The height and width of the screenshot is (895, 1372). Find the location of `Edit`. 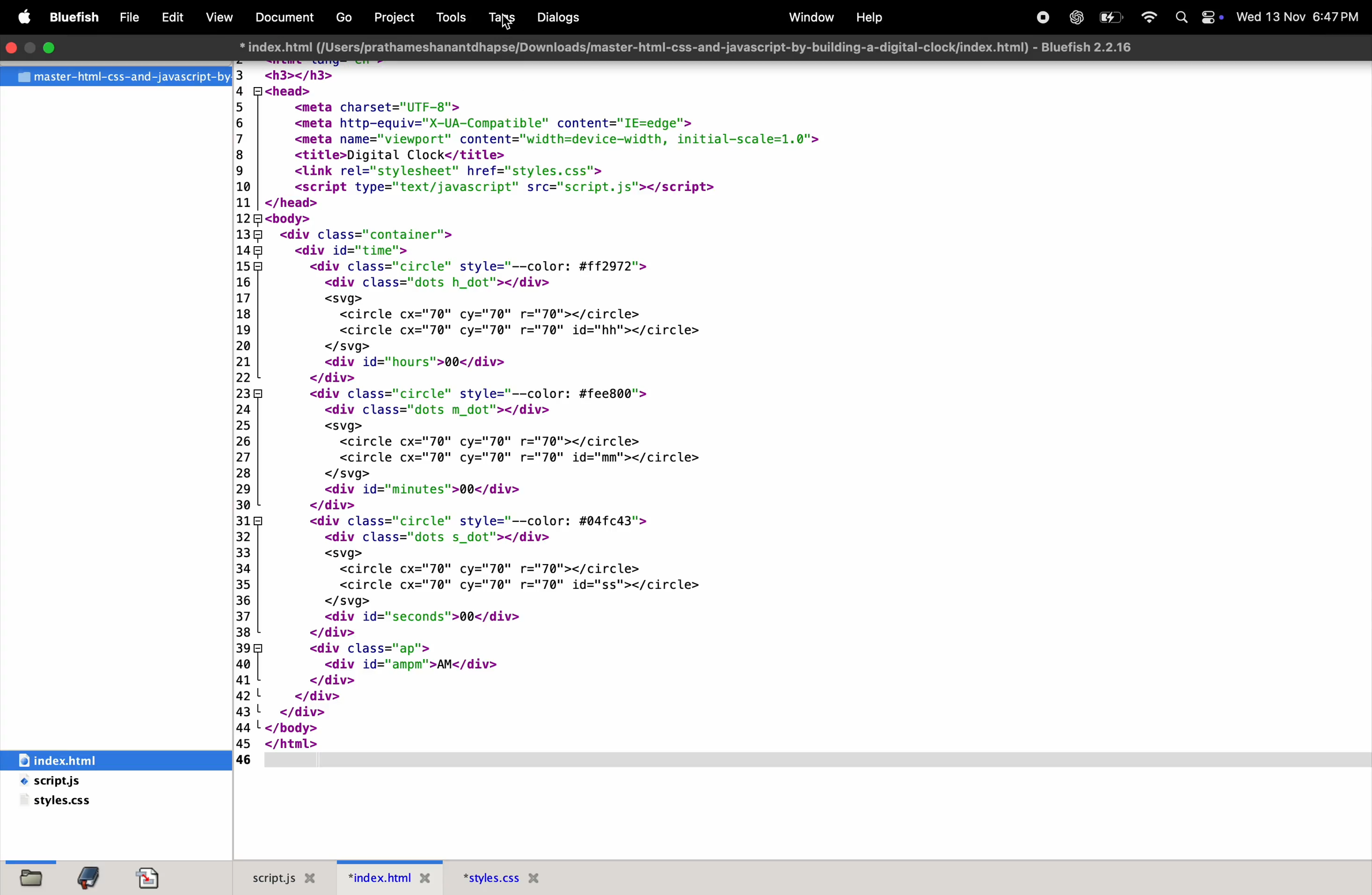

Edit is located at coordinates (174, 16).